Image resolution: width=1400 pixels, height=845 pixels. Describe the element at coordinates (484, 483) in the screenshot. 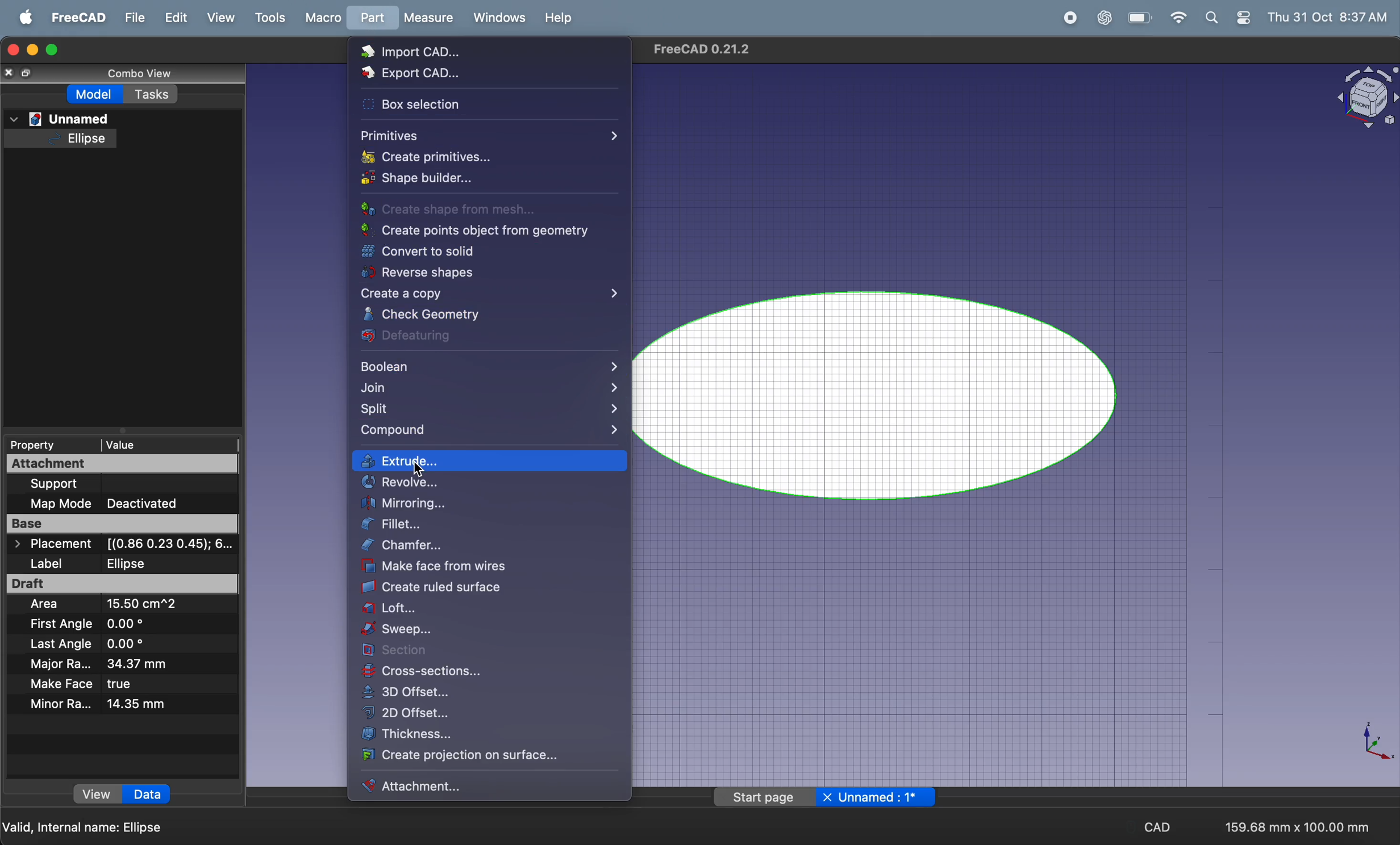

I see `revolve` at that location.